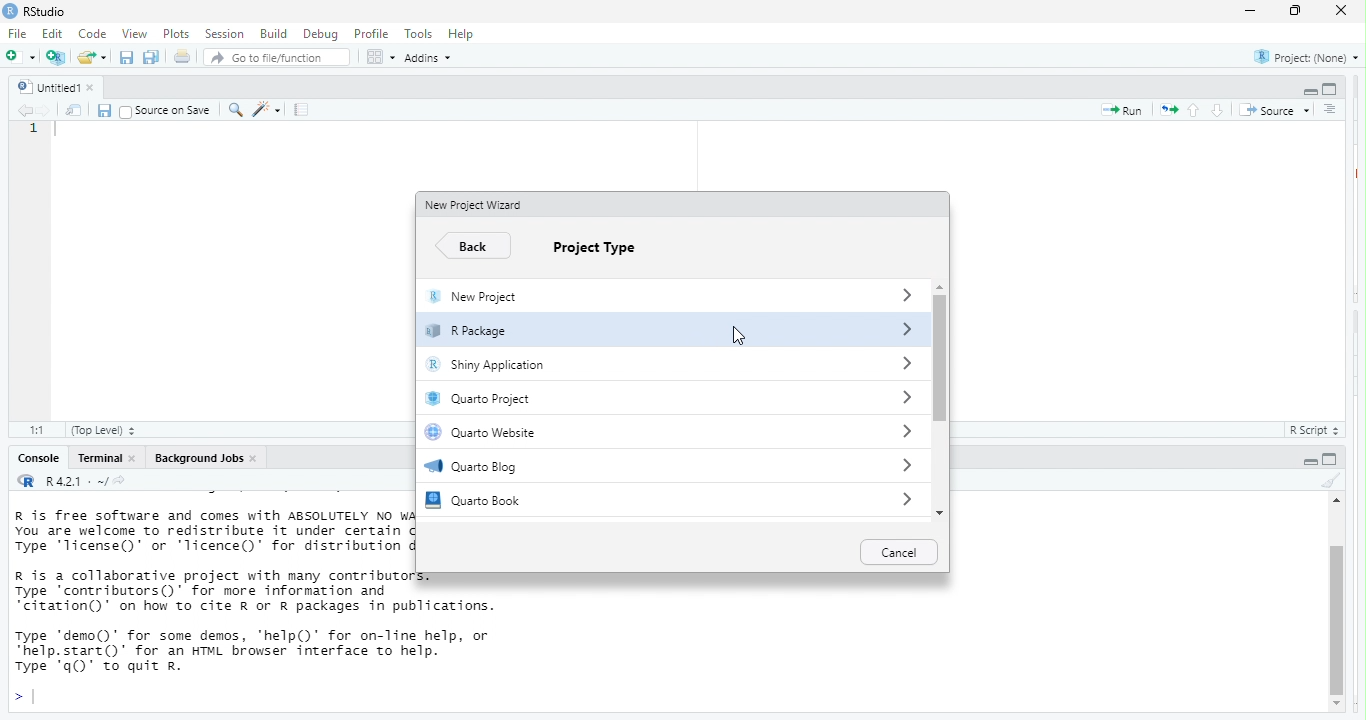  What do you see at coordinates (20, 35) in the screenshot?
I see `file` at bounding box center [20, 35].